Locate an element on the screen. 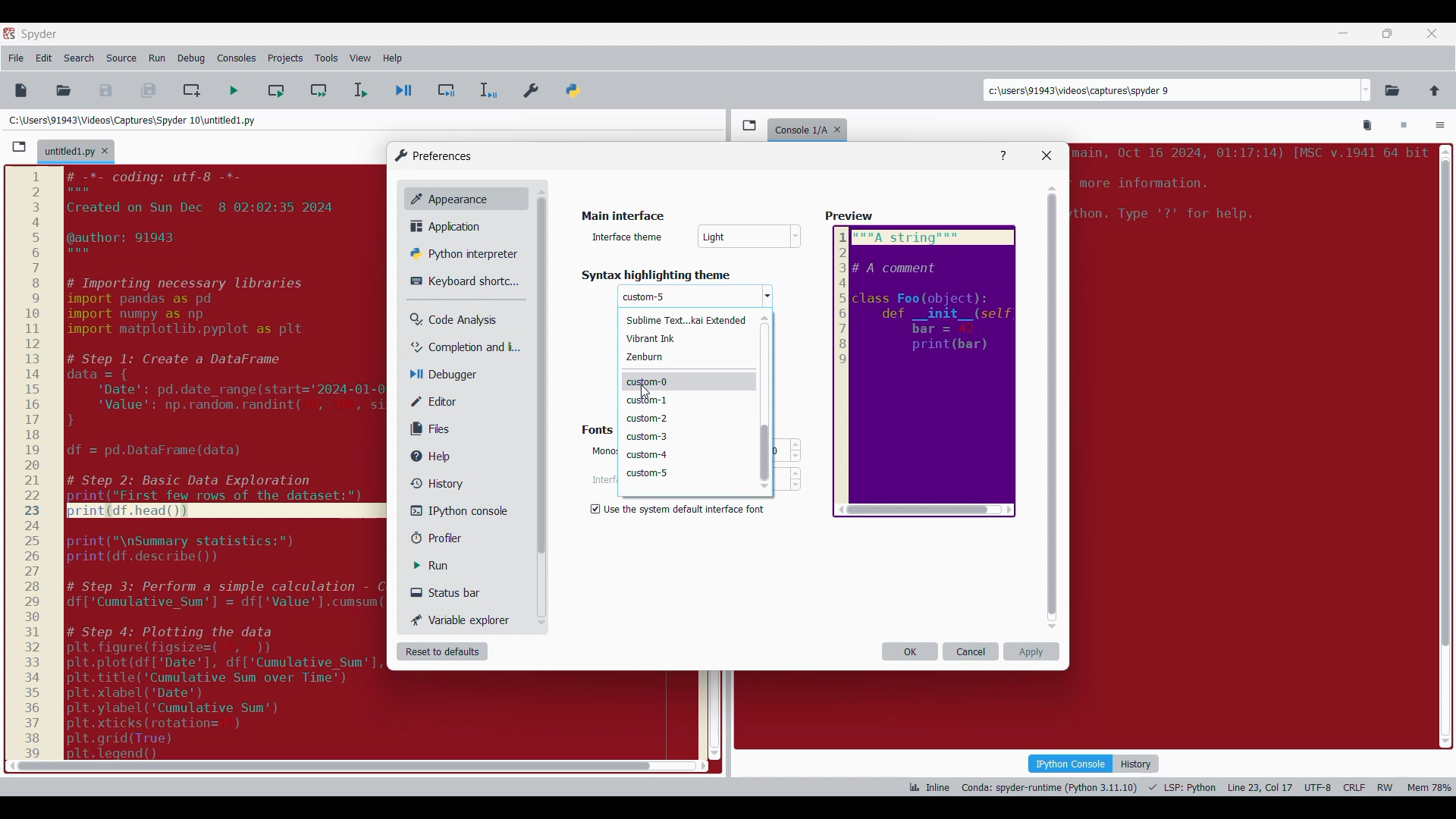  IPython console is located at coordinates (454, 510).